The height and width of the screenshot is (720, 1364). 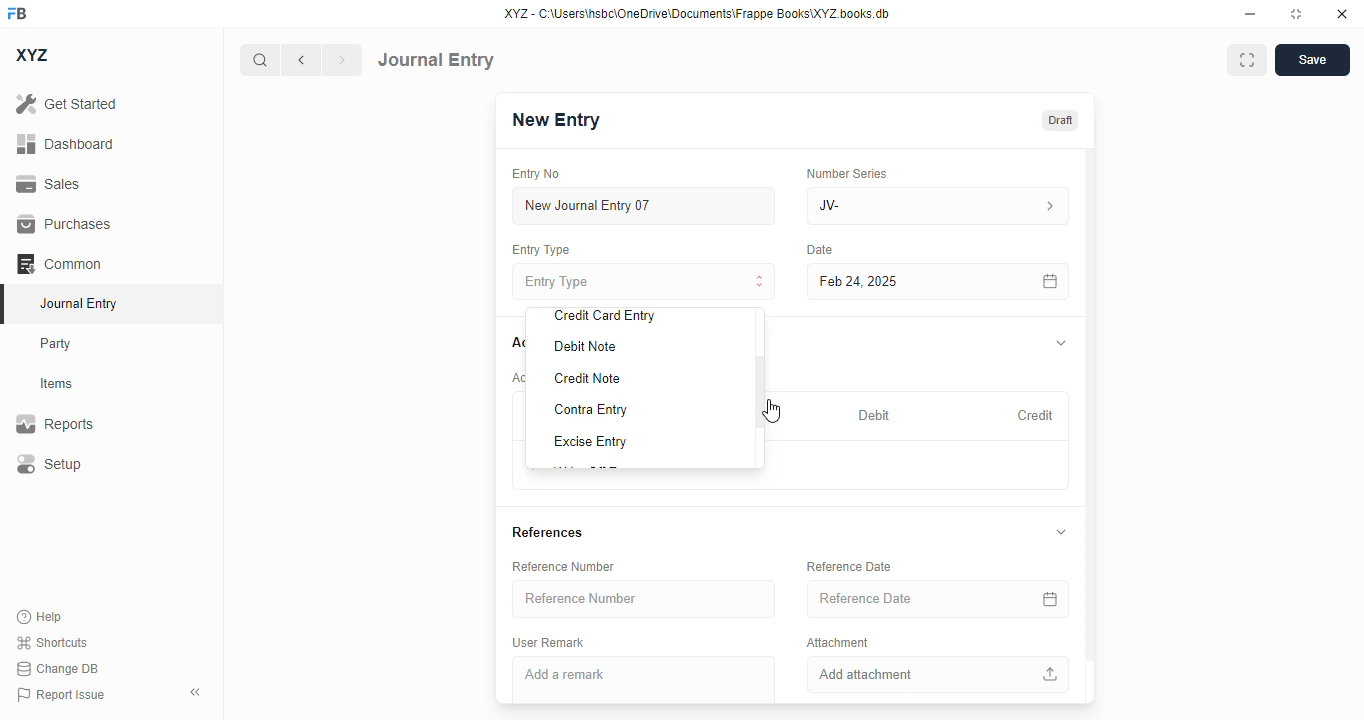 What do you see at coordinates (67, 104) in the screenshot?
I see `get started` at bounding box center [67, 104].